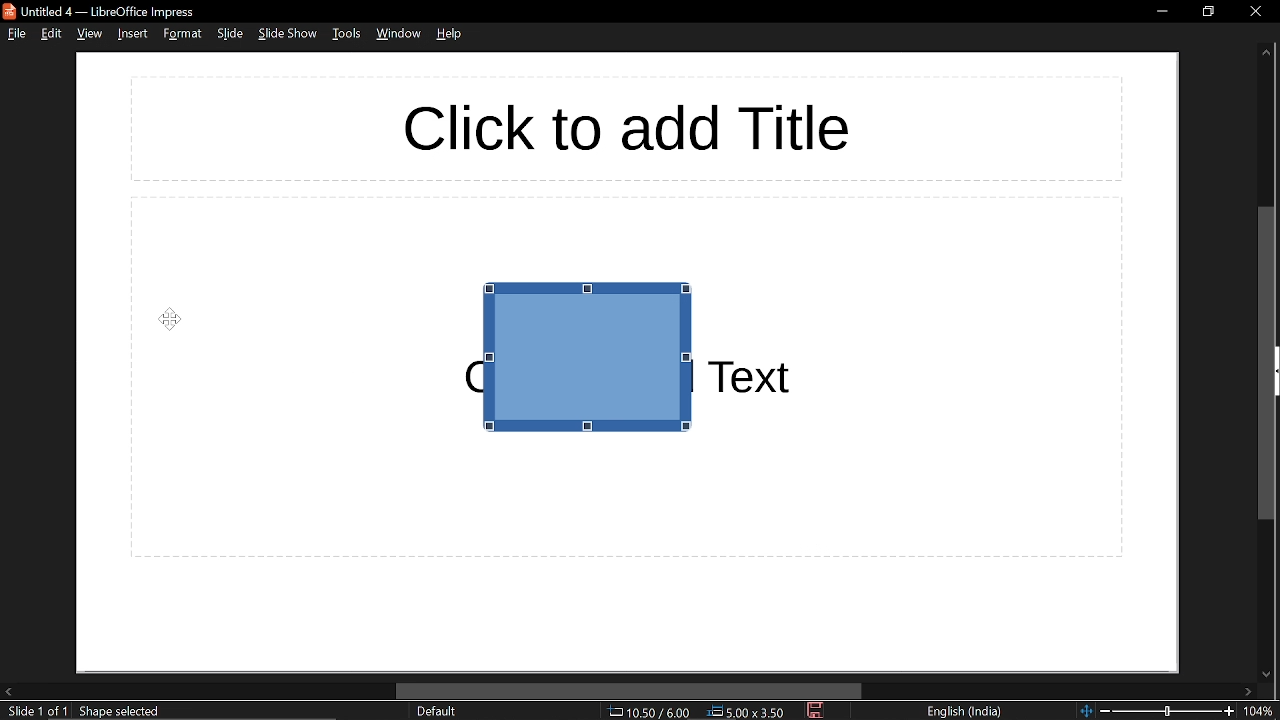 Image resolution: width=1280 pixels, height=720 pixels. Describe the element at coordinates (648, 712) in the screenshot. I see `co-ordinates` at that location.